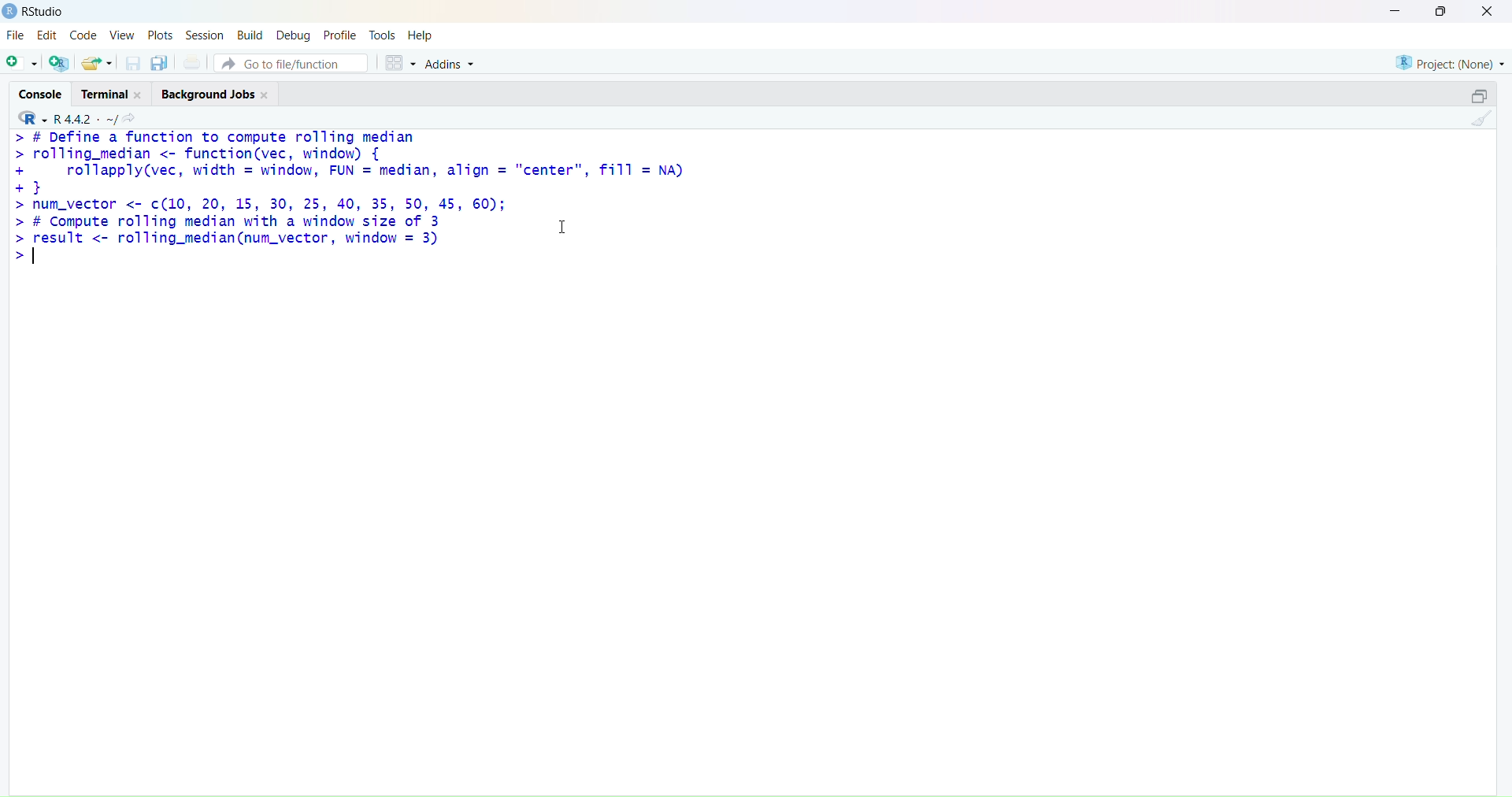  Describe the element at coordinates (130, 117) in the screenshot. I see `search icon` at that location.